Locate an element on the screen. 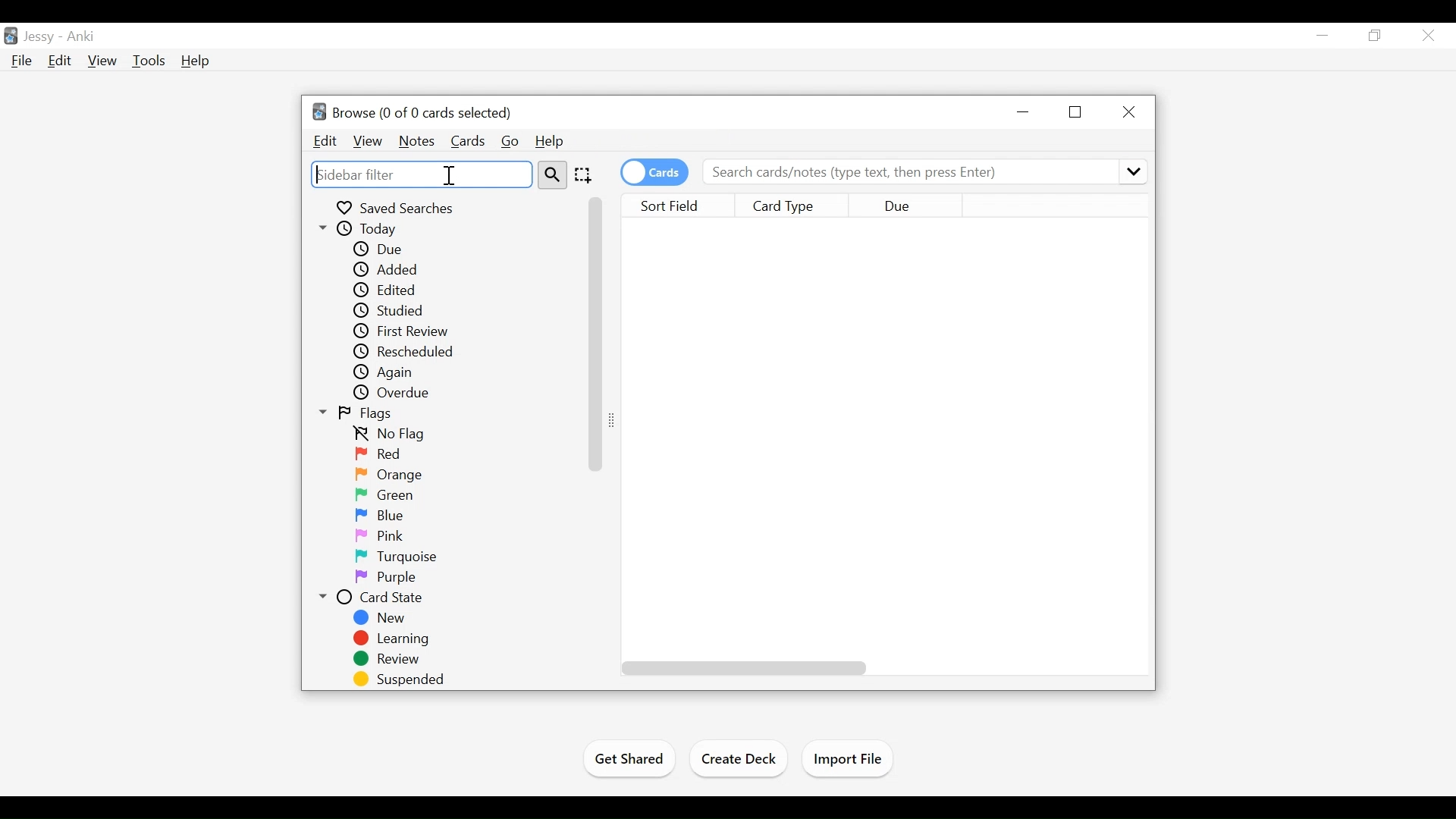 The image size is (1456, 819). Browse (number of cards out of cards selected) is located at coordinates (412, 111).